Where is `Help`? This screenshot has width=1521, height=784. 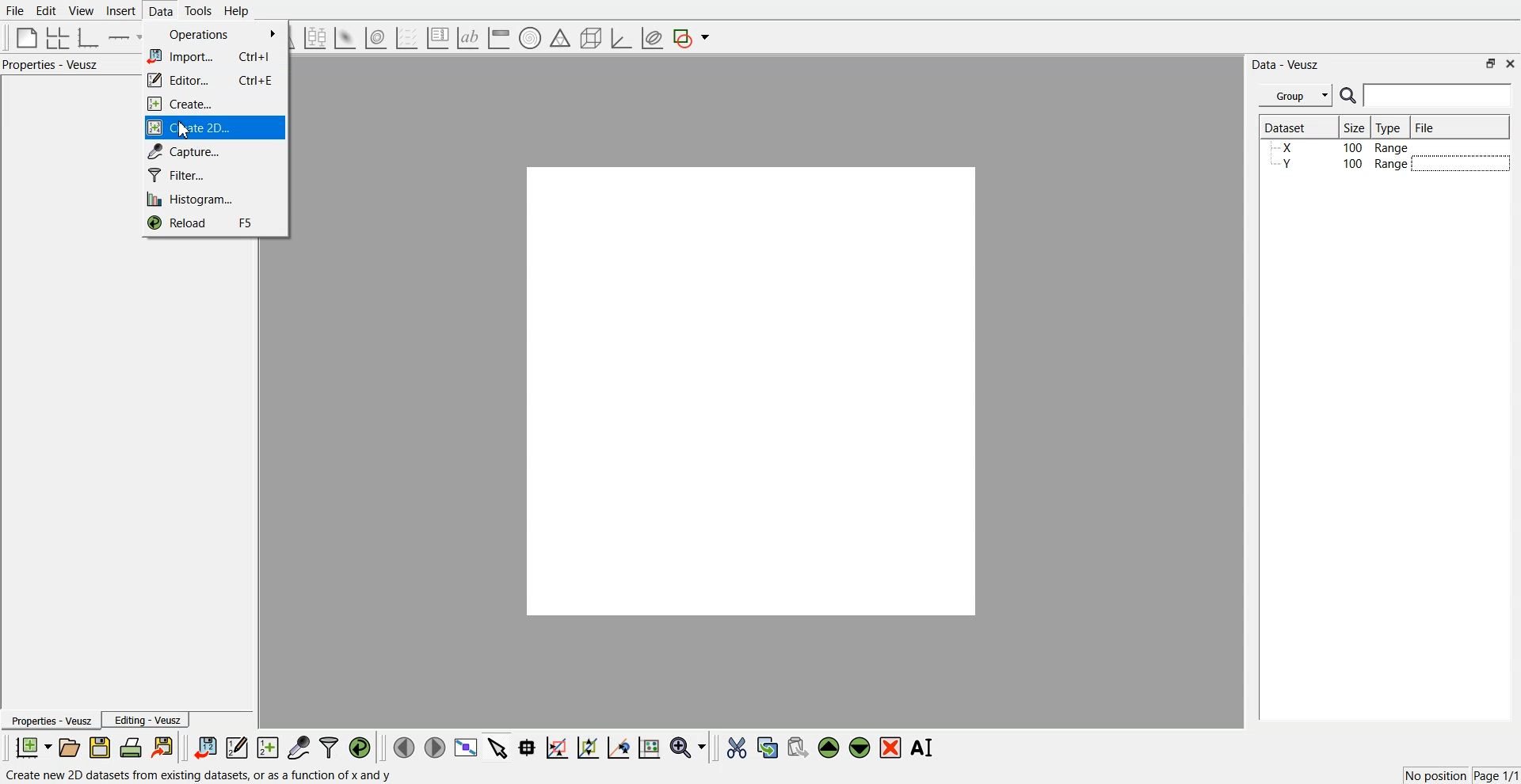
Help is located at coordinates (237, 11).